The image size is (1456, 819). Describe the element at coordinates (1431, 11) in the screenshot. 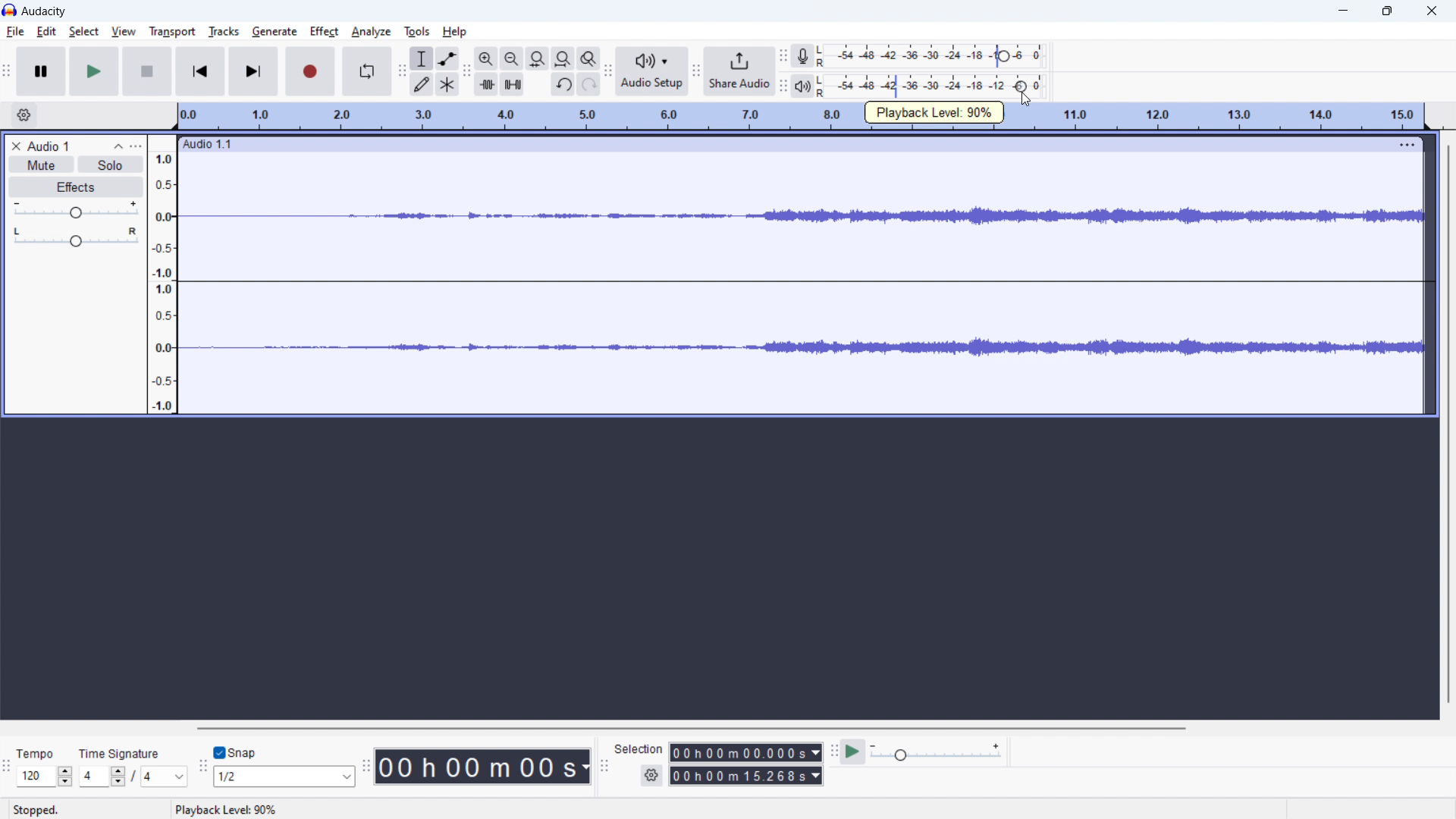

I see `close` at that location.